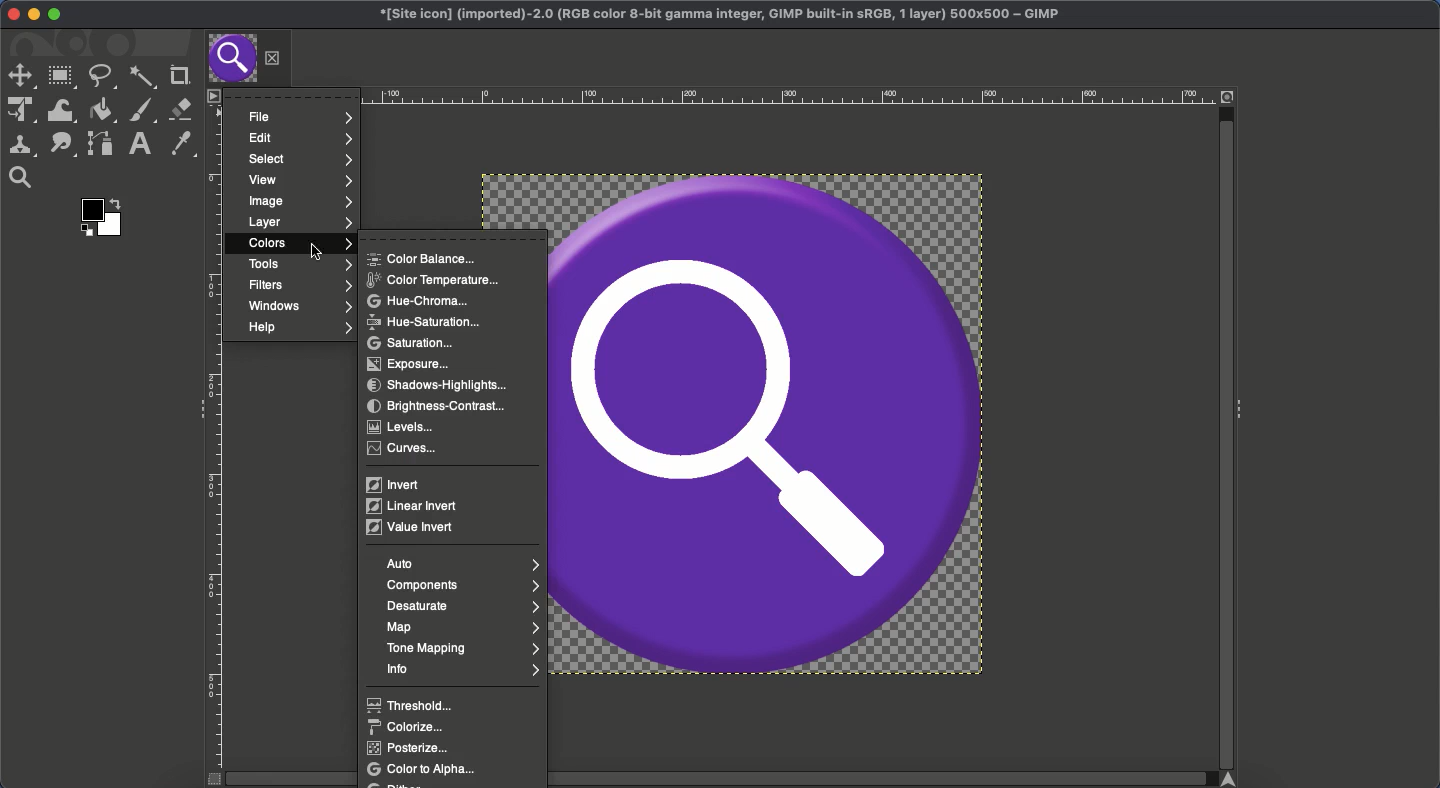 The image size is (1440, 788). What do you see at coordinates (302, 118) in the screenshot?
I see `File` at bounding box center [302, 118].